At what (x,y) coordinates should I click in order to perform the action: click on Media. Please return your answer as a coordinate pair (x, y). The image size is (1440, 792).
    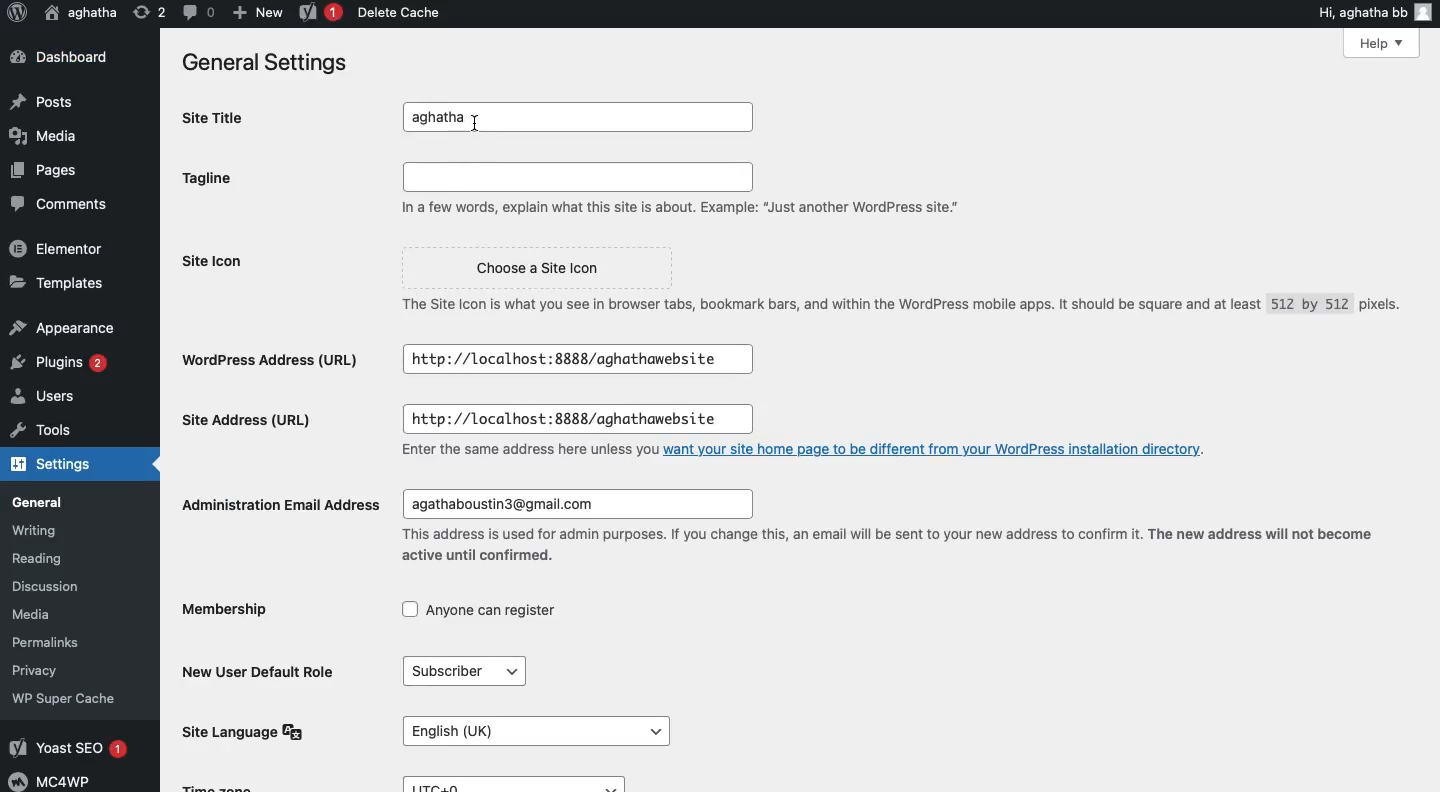
    Looking at the image, I should click on (34, 614).